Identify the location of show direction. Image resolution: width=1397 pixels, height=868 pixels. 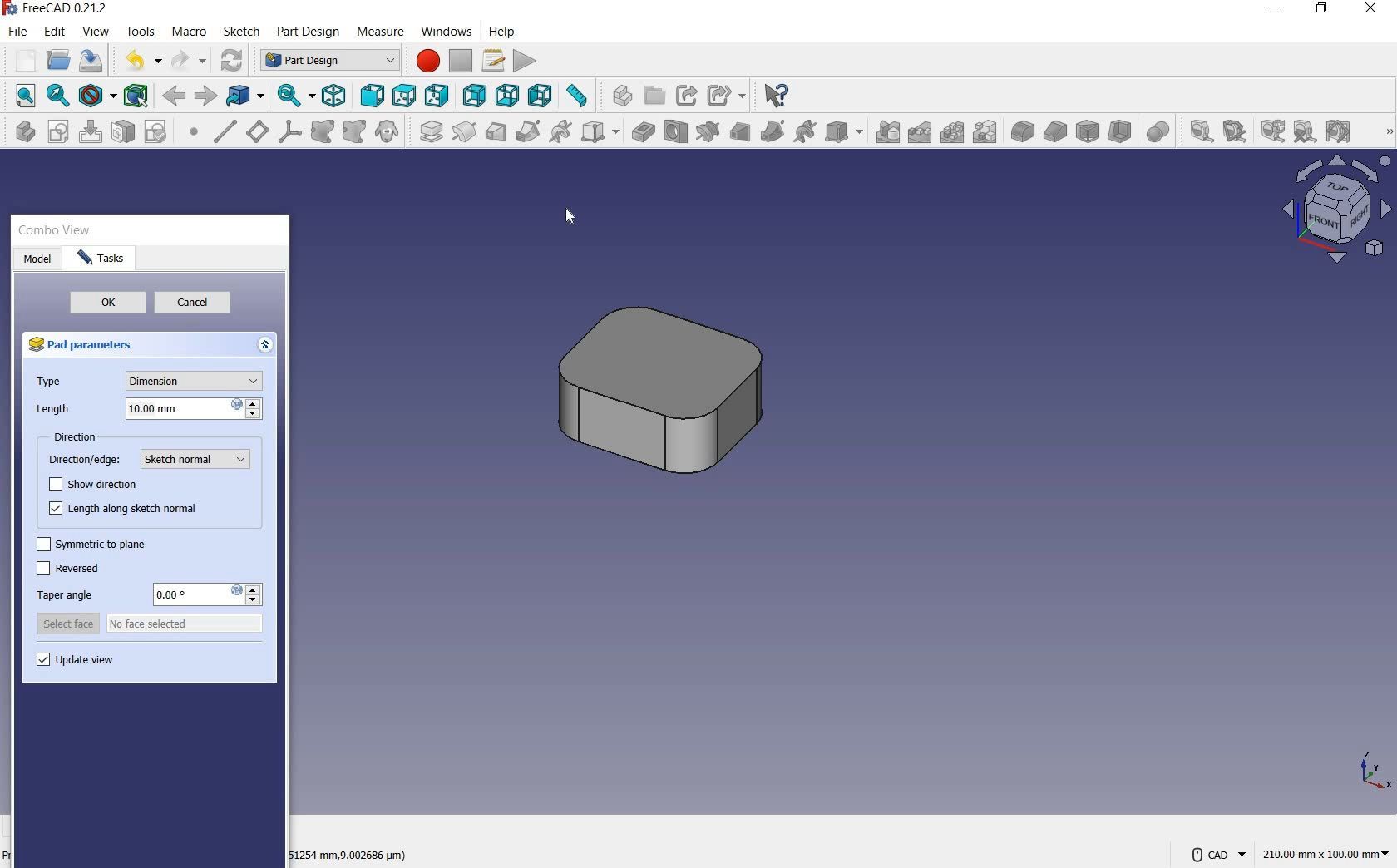
(92, 484).